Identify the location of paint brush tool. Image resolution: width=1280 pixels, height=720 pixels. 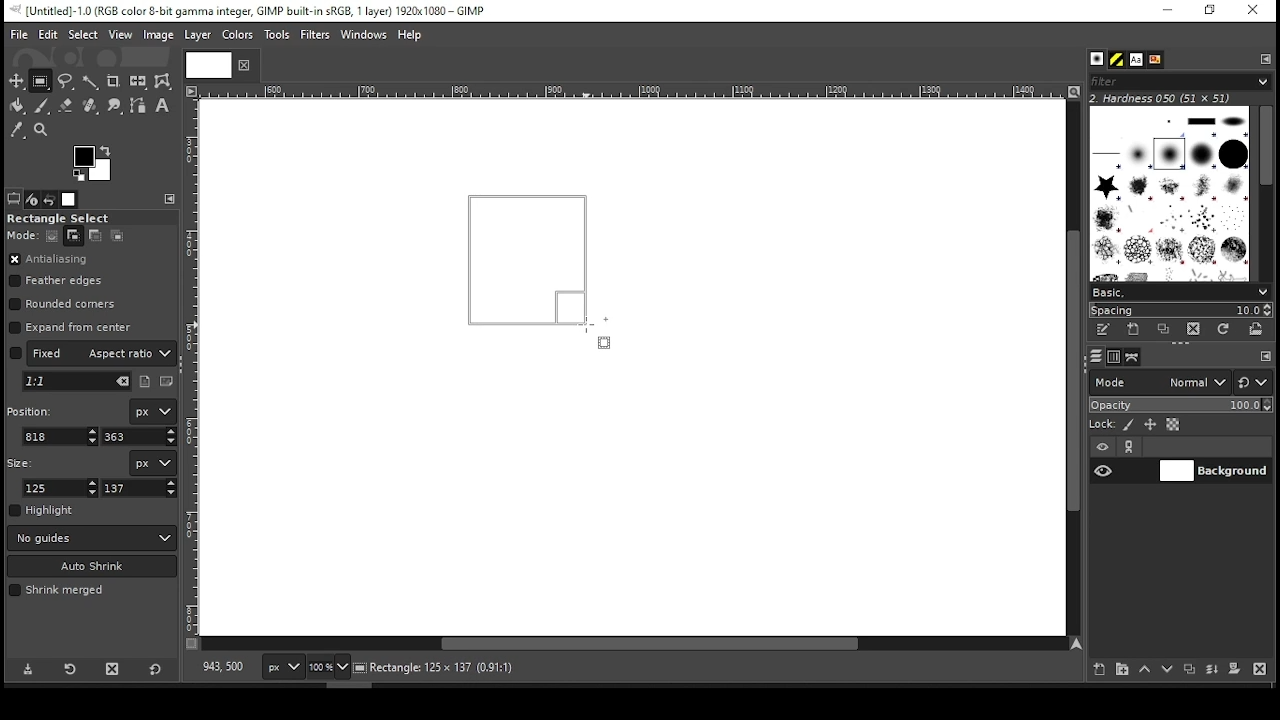
(42, 105).